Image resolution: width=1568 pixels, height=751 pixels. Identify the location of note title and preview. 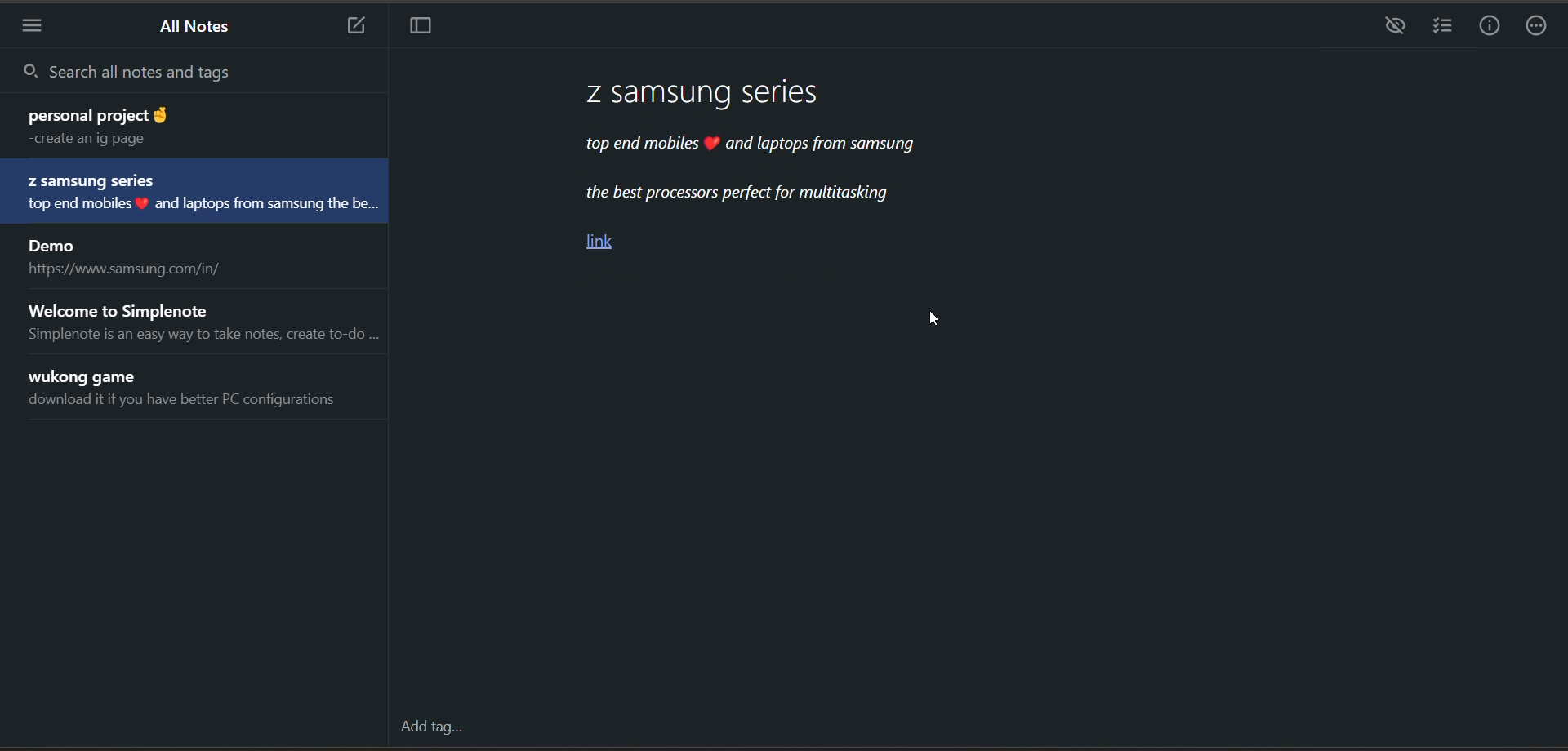
(199, 321).